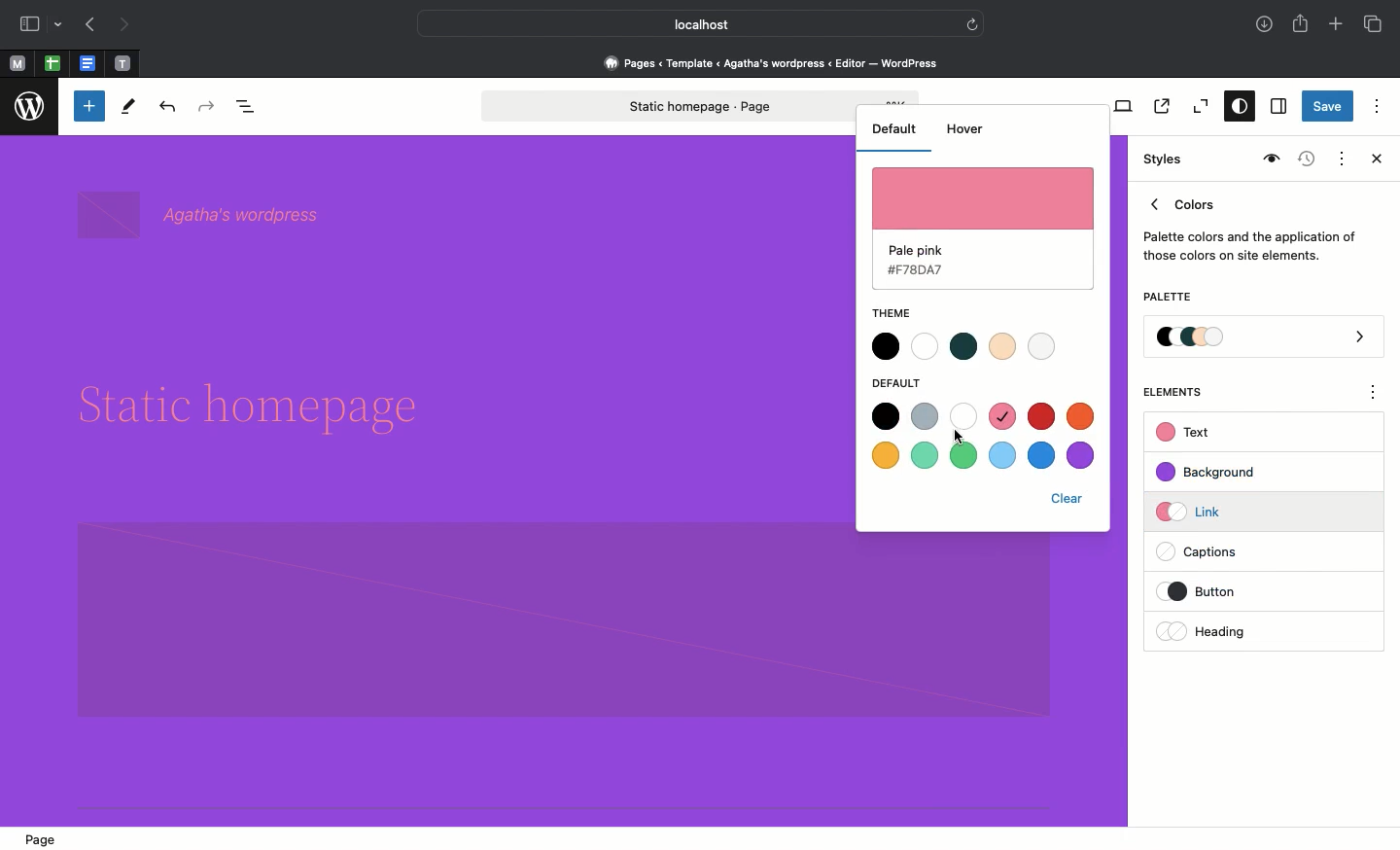  Describe the element at coordinates (29, 24) in the screenshot. I see `Sidebar` at that location.